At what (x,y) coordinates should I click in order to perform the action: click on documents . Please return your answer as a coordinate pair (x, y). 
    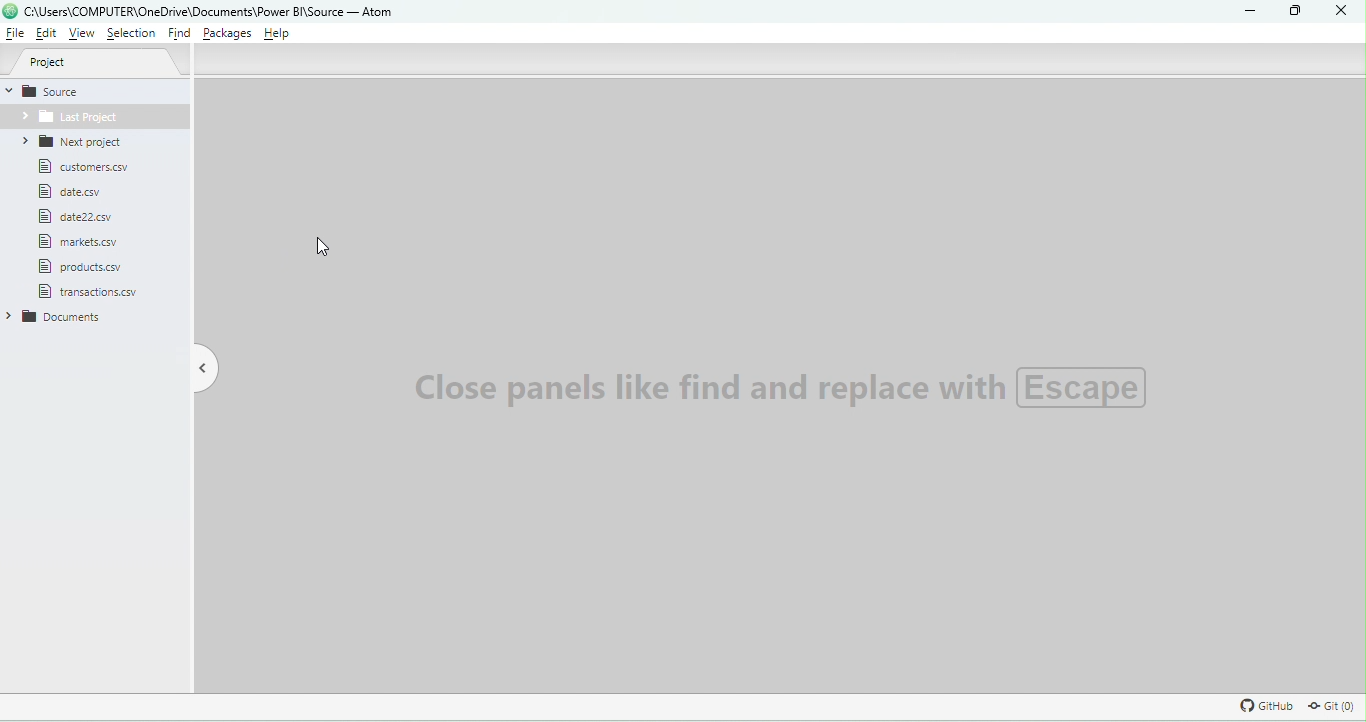
    Looking at the image, I should click on (61, 319).